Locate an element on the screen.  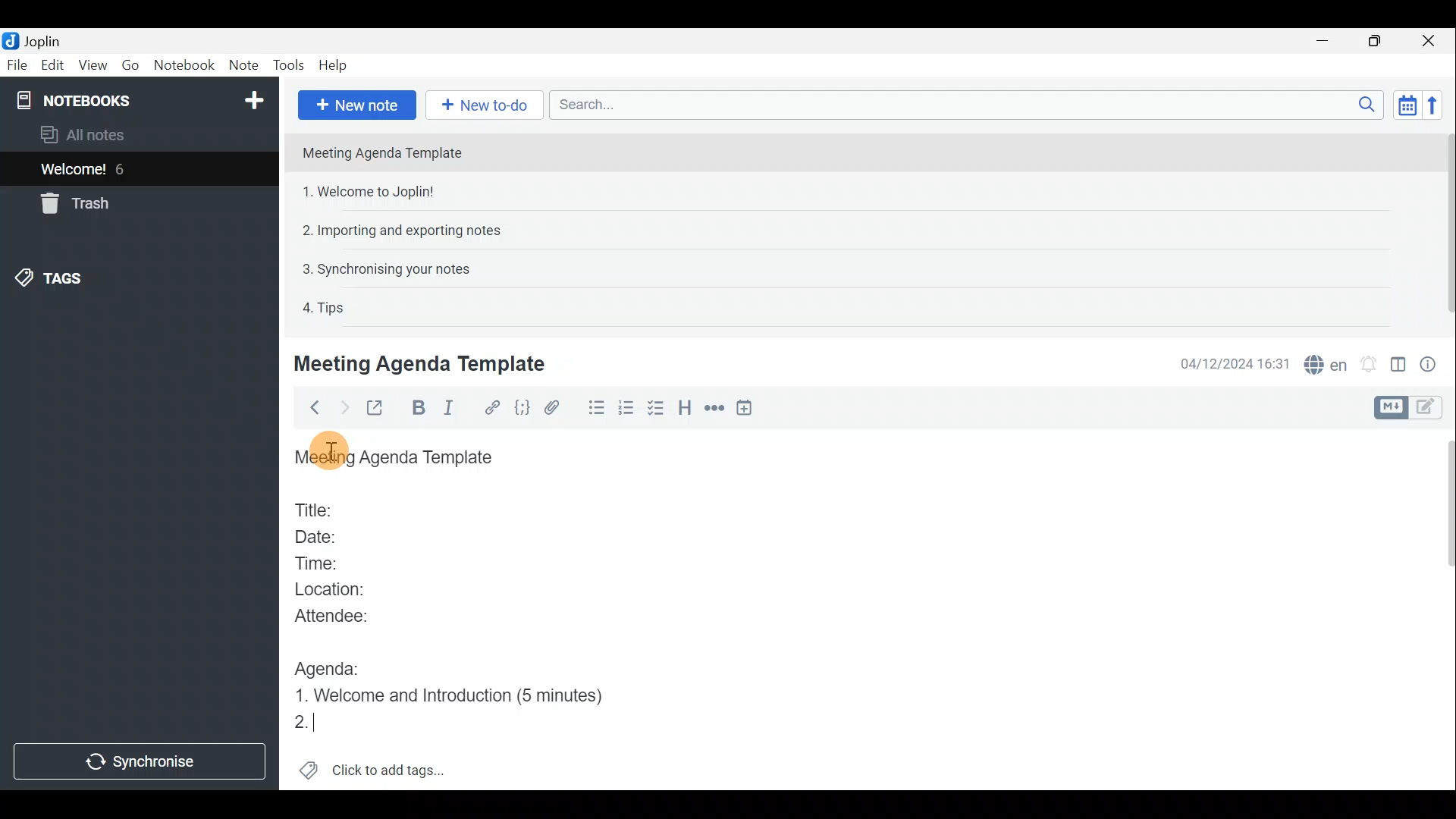
1. Welcome and Introduction (5 minutes) is located at coordinates (461, 694).